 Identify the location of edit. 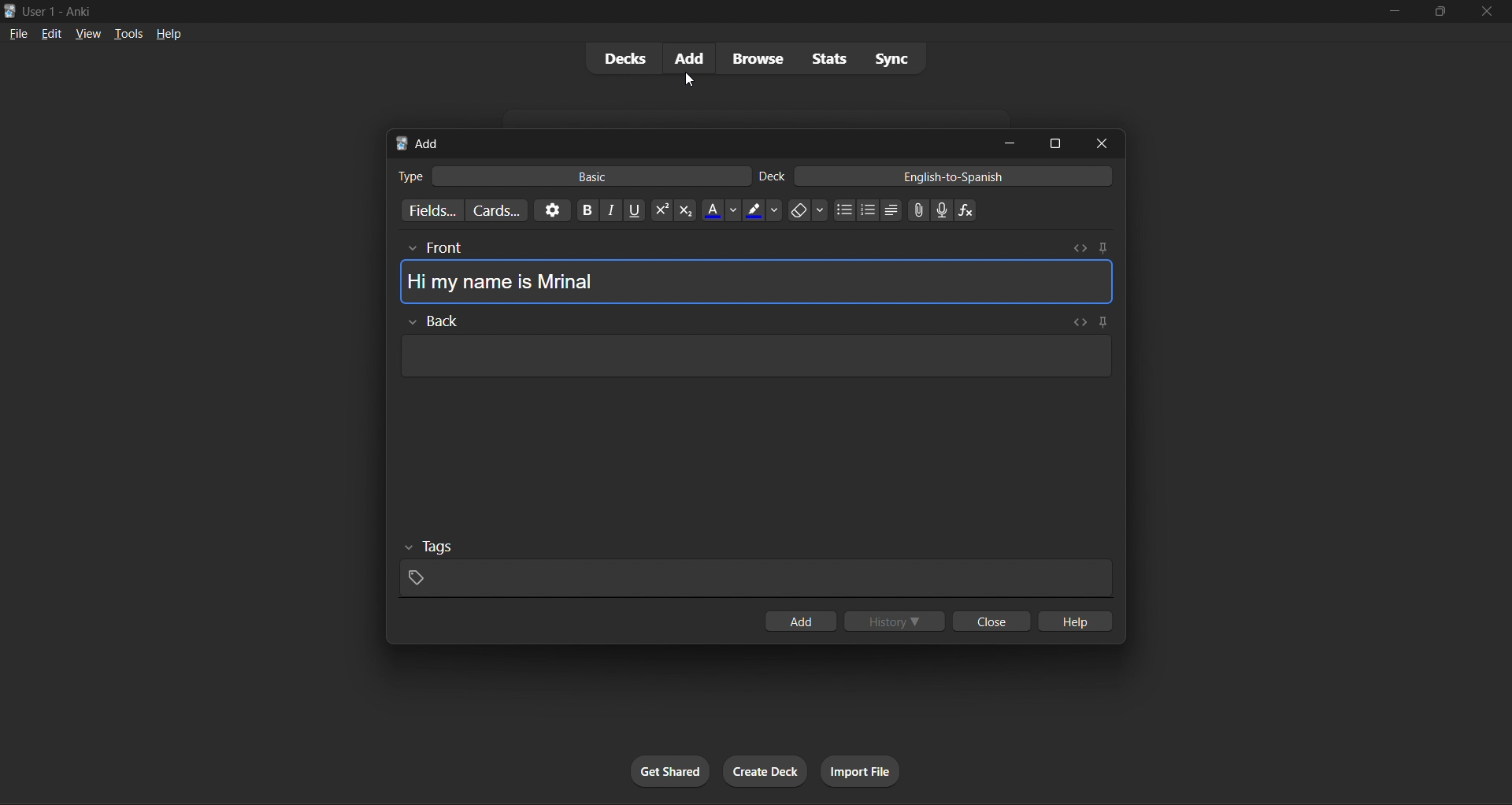
(47, 31).